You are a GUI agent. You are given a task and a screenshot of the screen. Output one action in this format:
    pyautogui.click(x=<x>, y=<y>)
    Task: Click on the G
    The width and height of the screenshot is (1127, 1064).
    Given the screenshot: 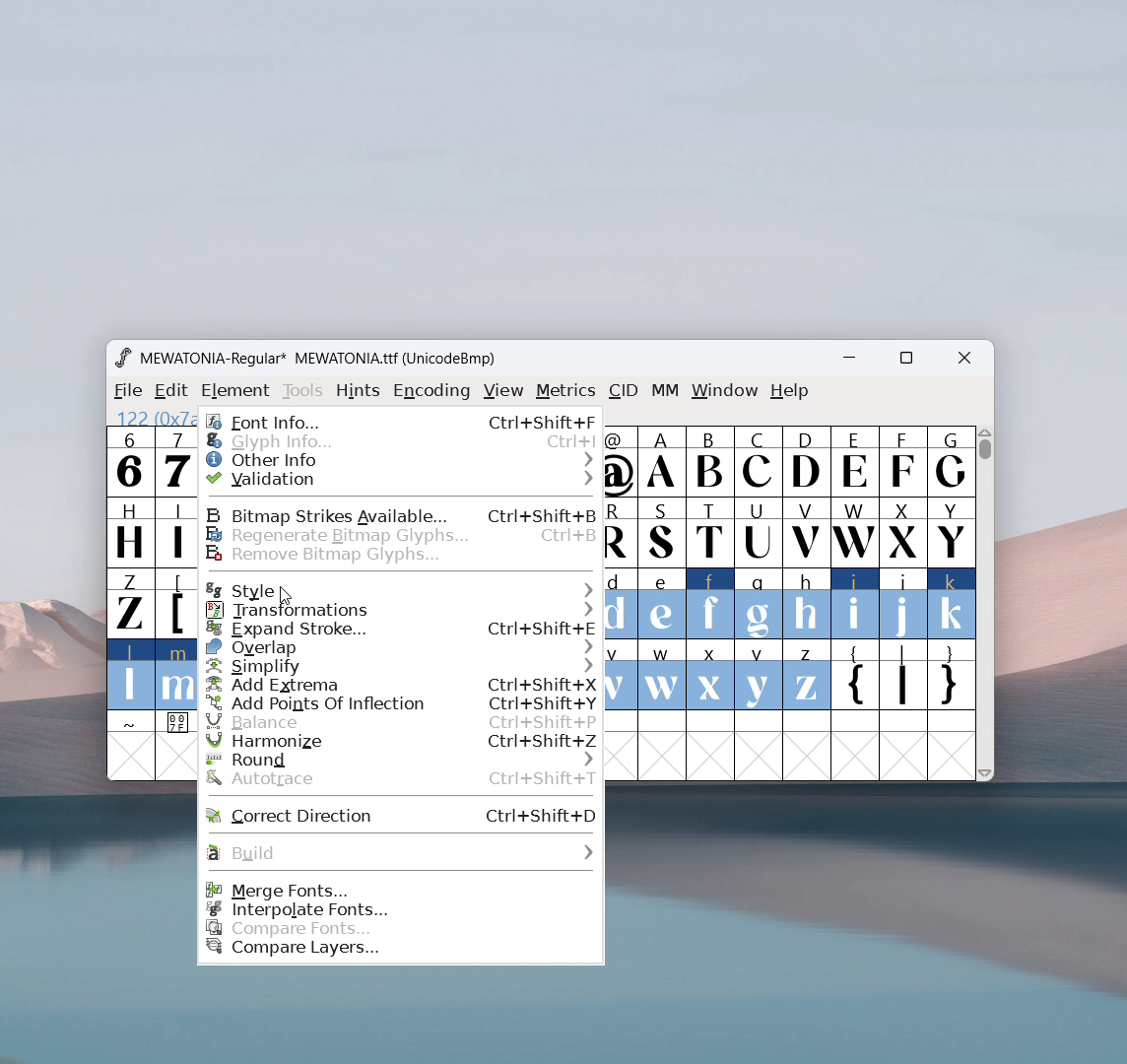 What is the action you would take?
    pyautogui.click(x=951, y=461)
    